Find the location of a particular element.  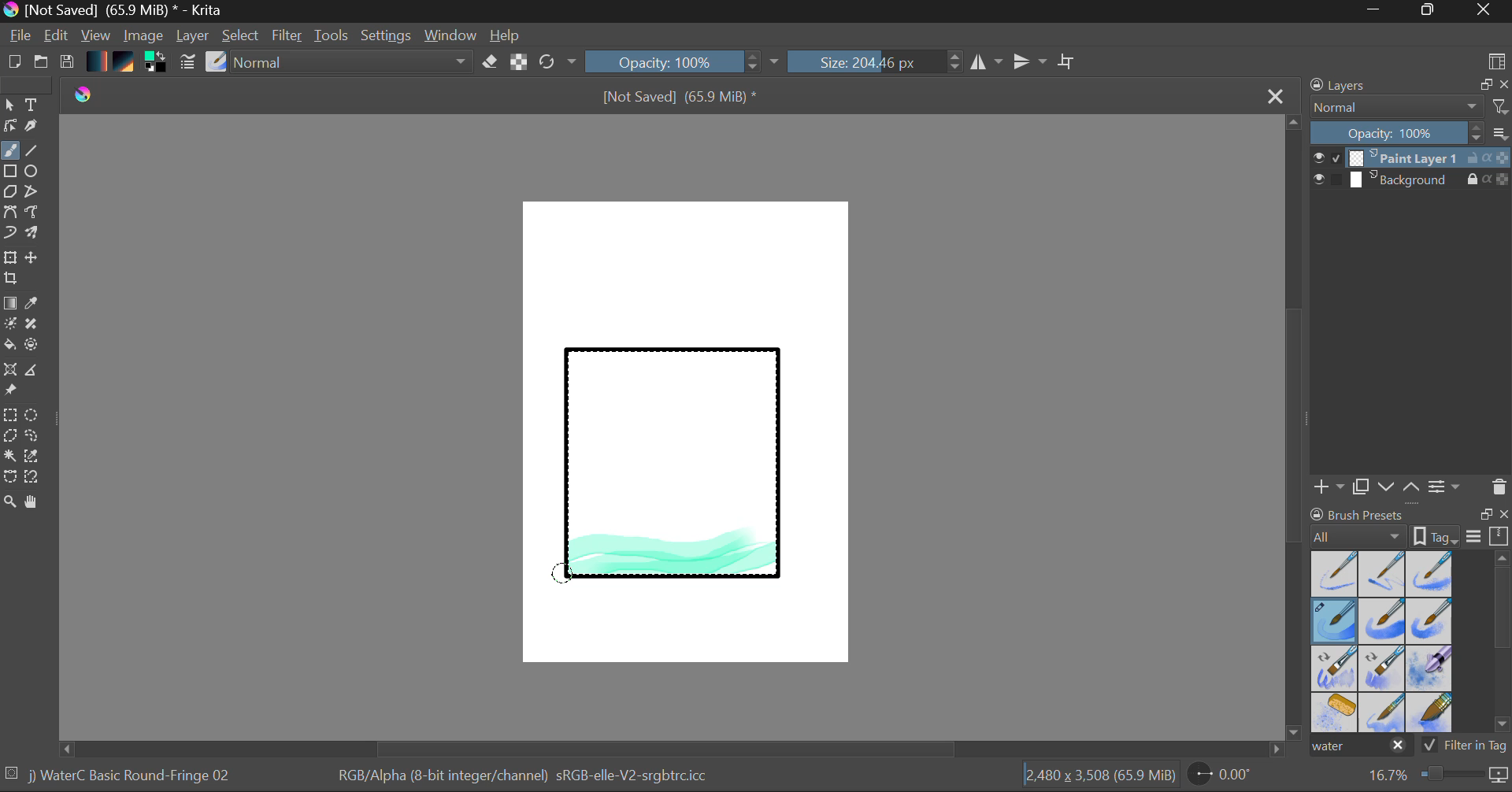

logo is located at coordinates (88, 92).